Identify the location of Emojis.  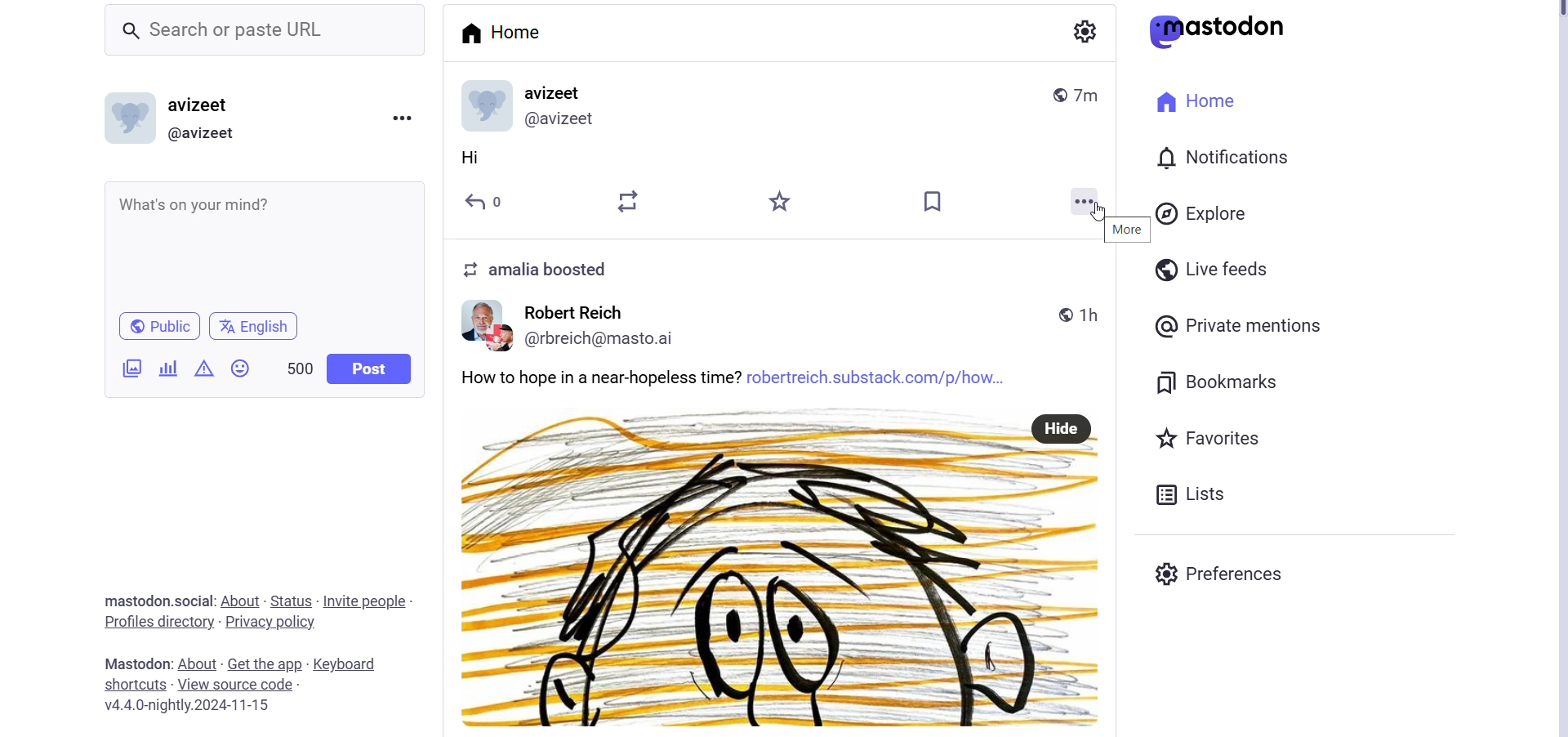
(241, 368).